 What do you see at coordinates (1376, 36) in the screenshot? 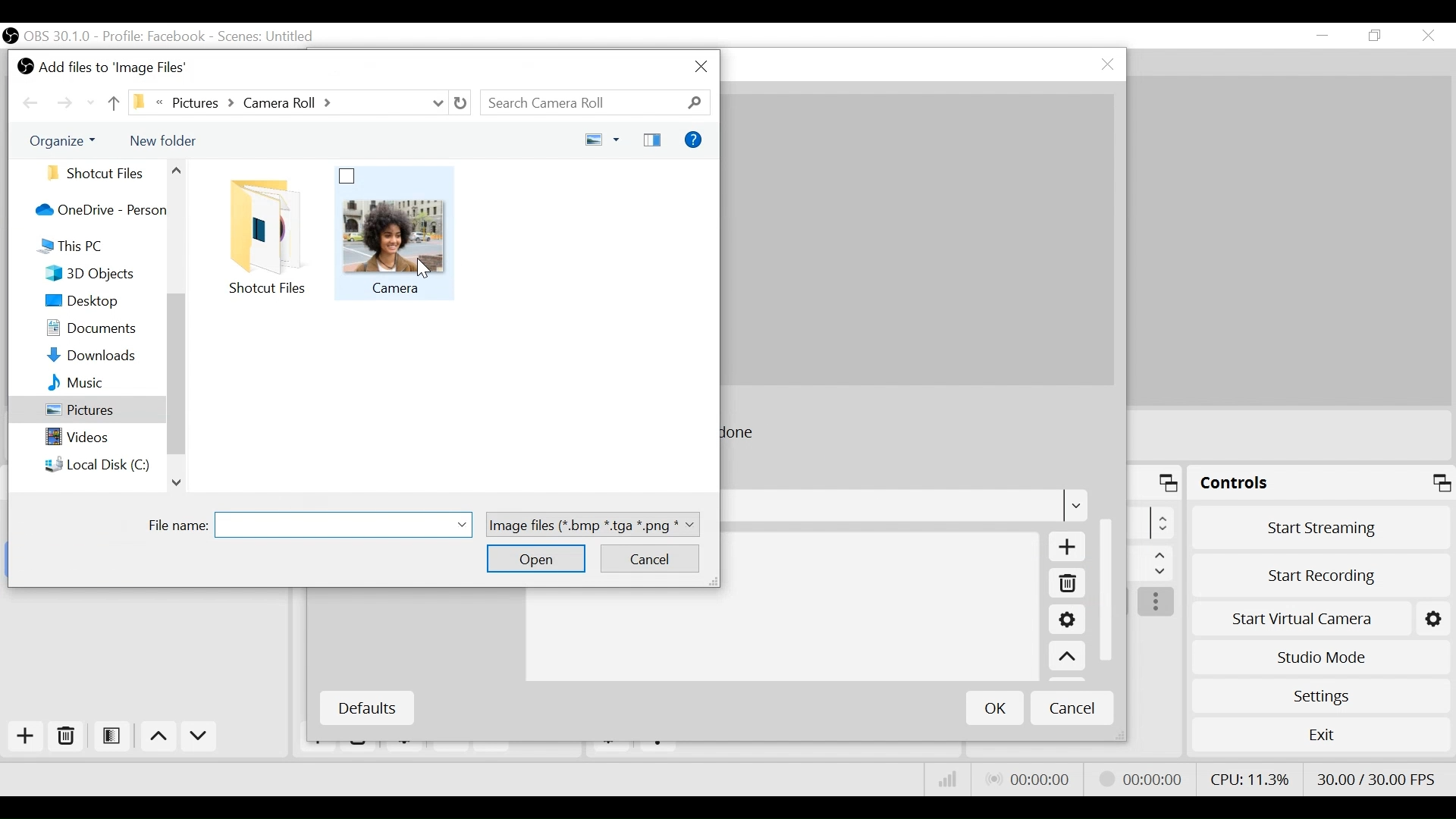
I see `Restore` at bounding box center [1376, 36].